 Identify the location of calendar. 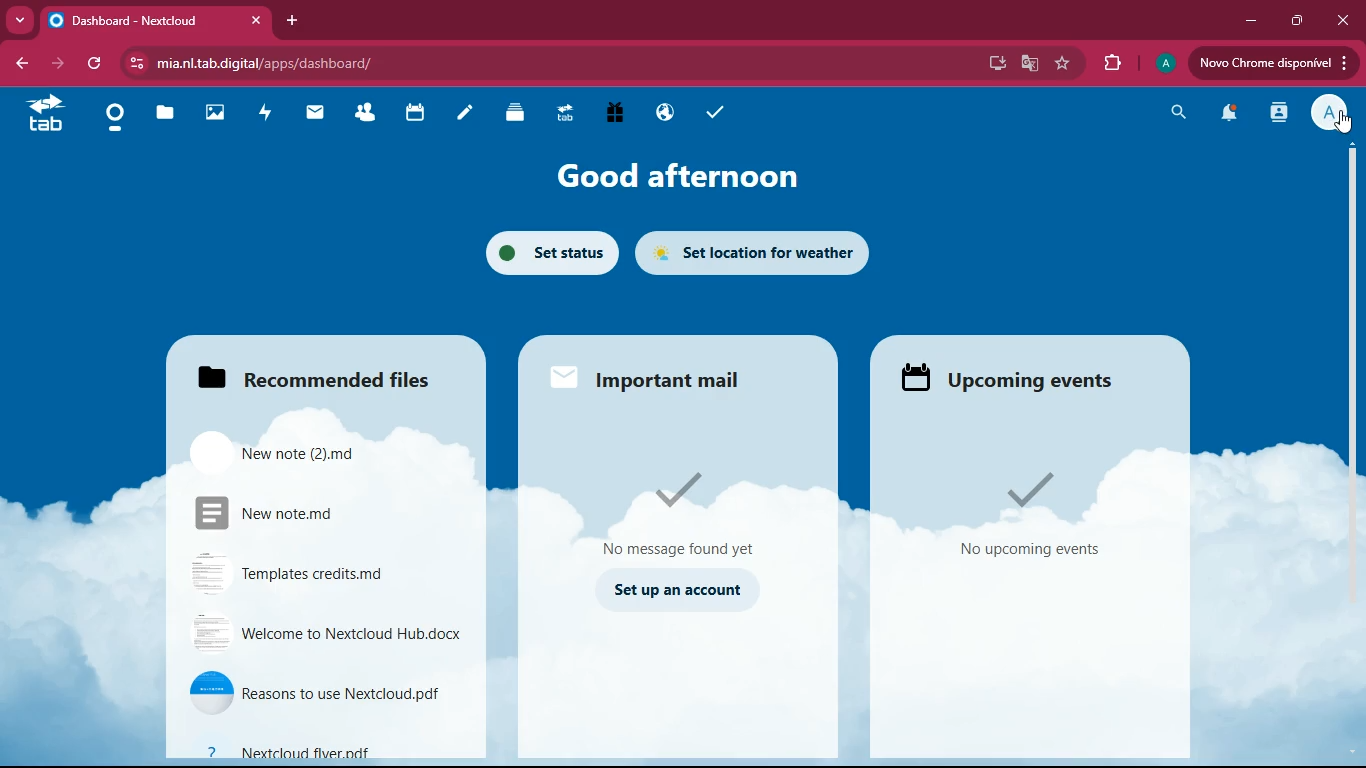
(411, 114).